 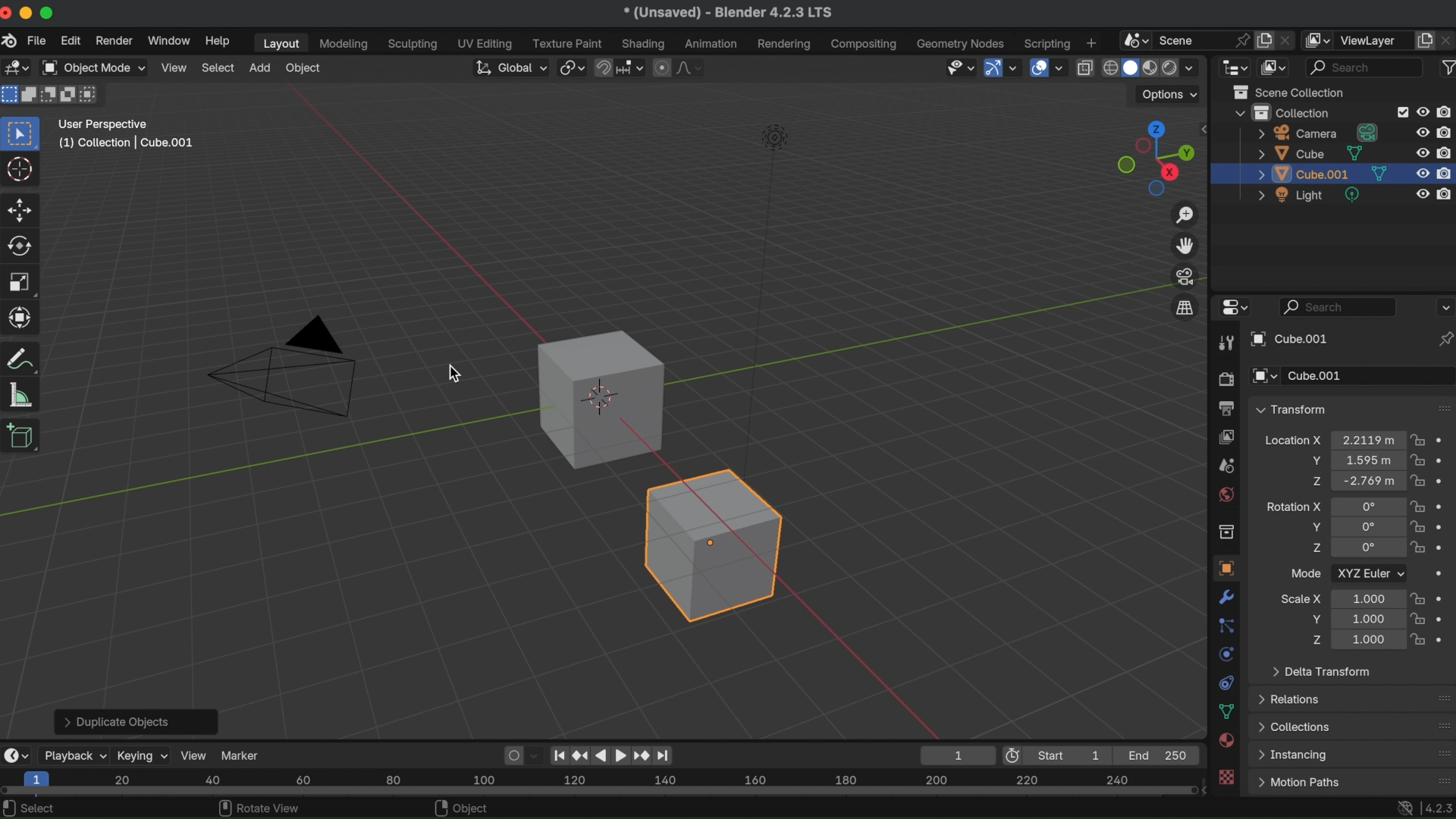 What do you see at coordinates (465, 808) in the screenshot?
I see `object` at bounding box center [465, 808].